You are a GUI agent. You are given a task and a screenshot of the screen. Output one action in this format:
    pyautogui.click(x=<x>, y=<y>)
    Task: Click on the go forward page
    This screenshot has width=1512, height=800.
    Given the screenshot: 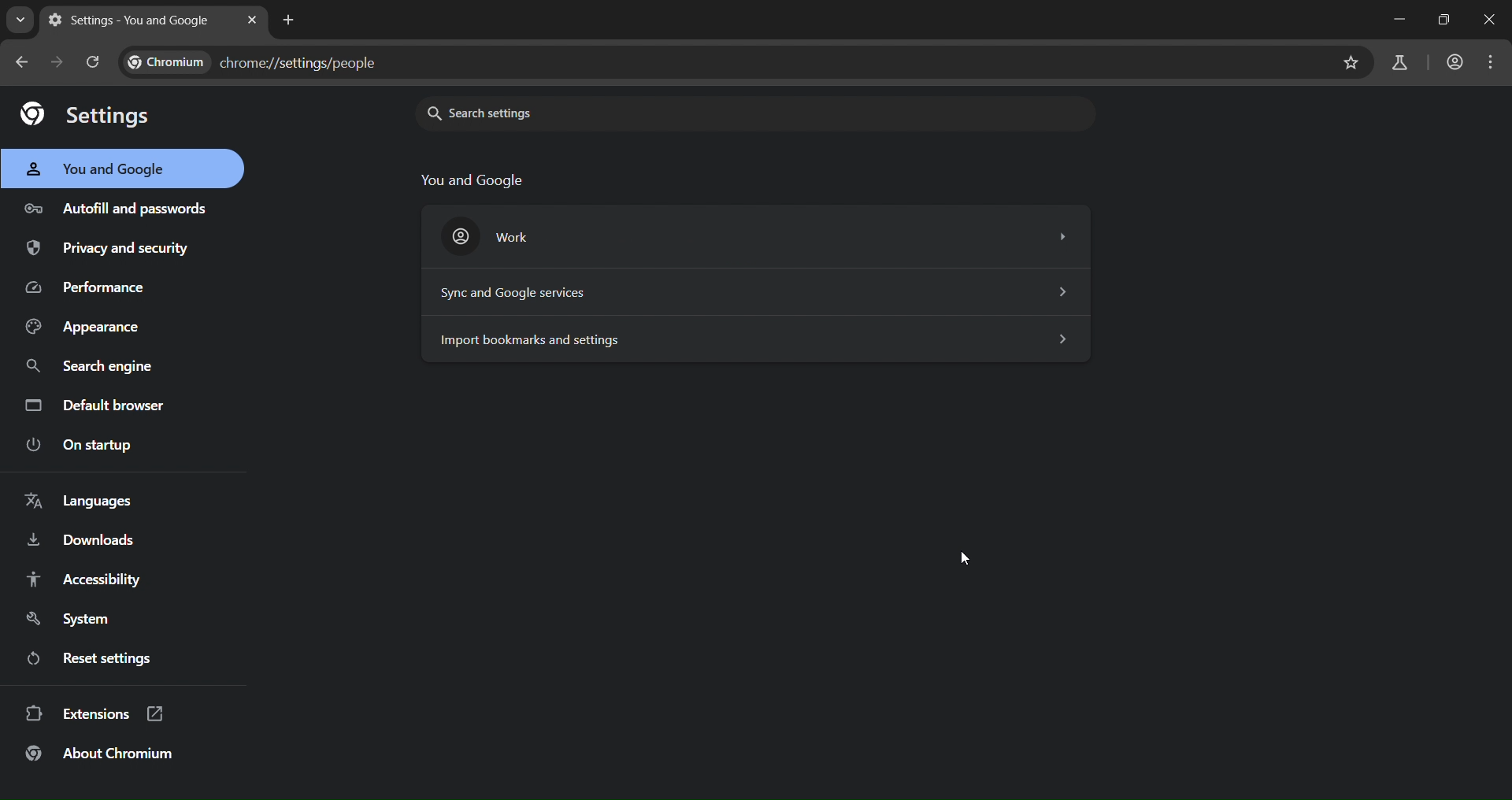 What is the action you would take?
    pyautogui.click(x=61, y=61)
    